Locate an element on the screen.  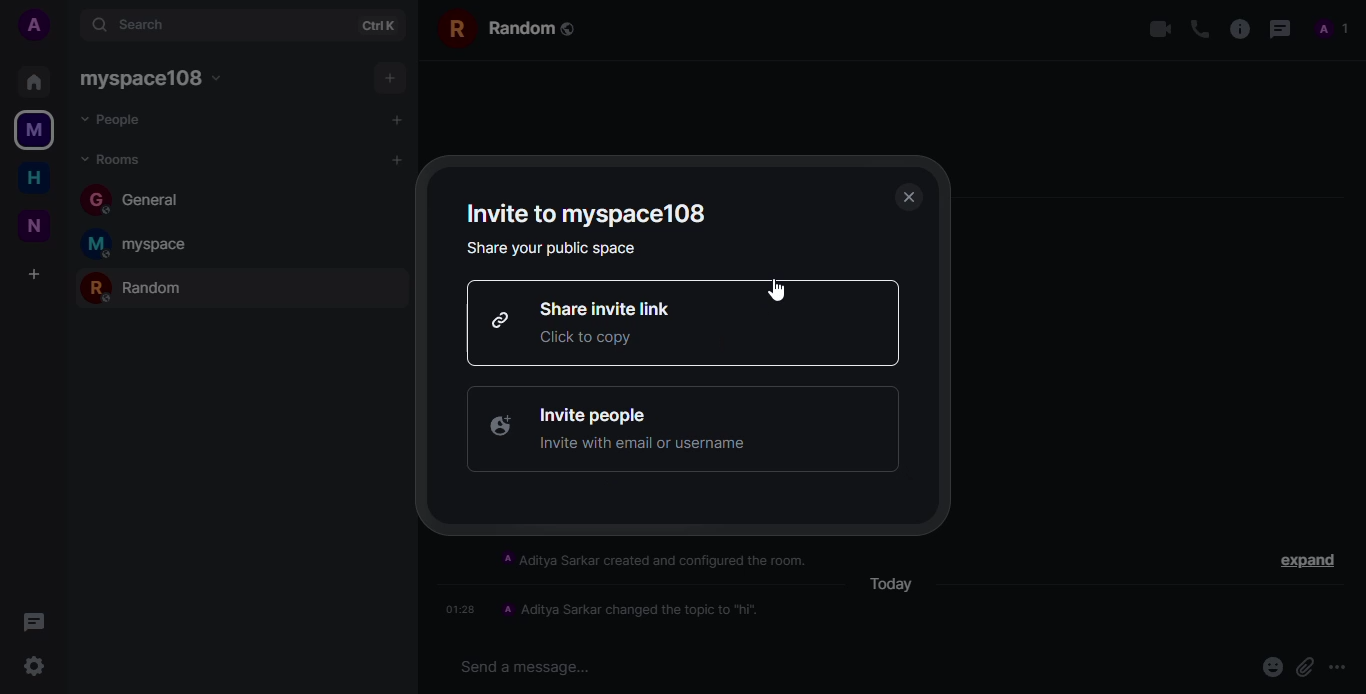
A Aditya Sarkar created and configured the room. is located at coordinates (651, 559).